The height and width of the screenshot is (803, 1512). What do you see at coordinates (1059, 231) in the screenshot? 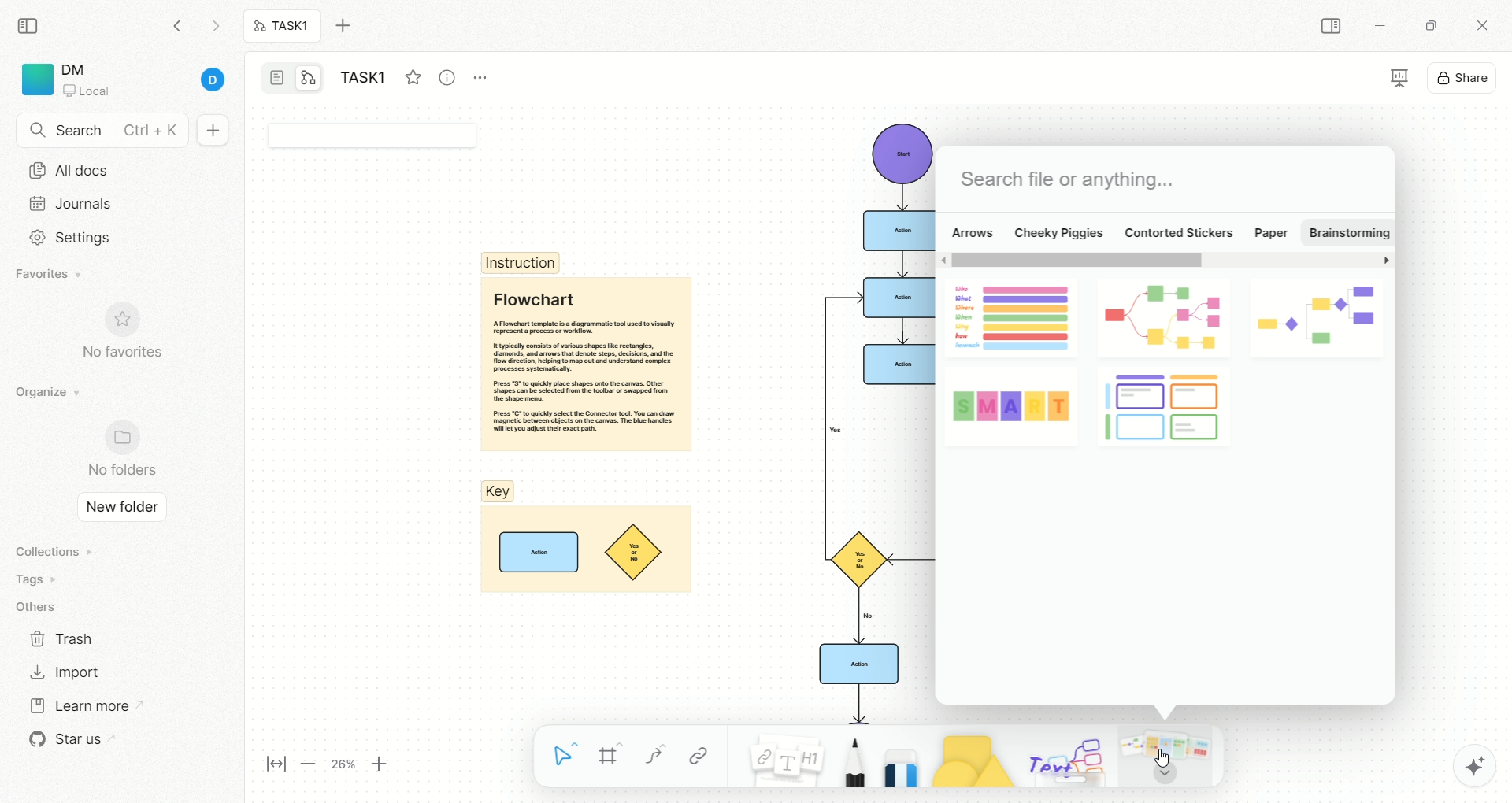
I see `cheeky piggies` at bounding box center [1059, 231].